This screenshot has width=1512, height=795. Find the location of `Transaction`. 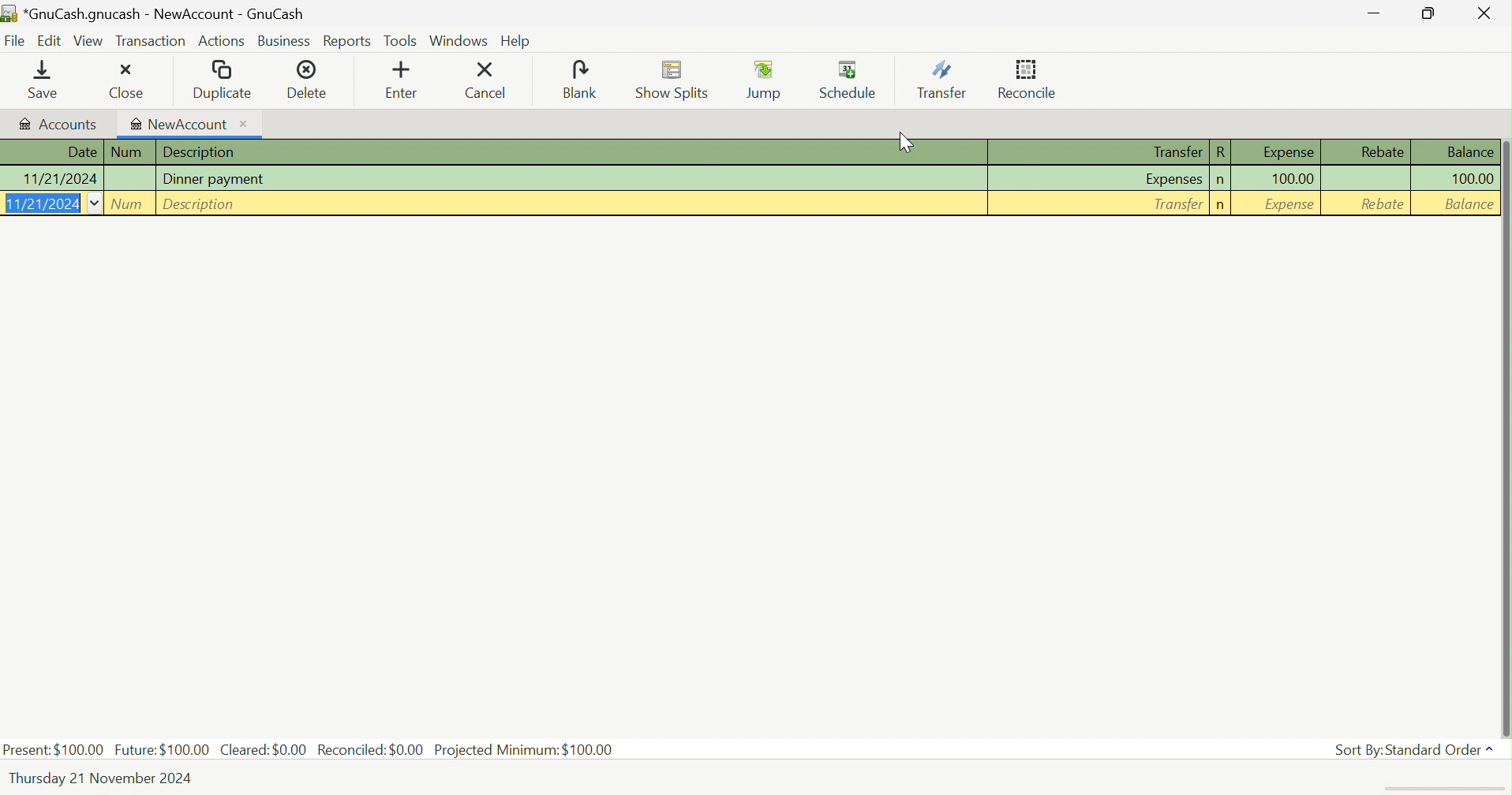

Transaction is located at coordinates (150, 39).